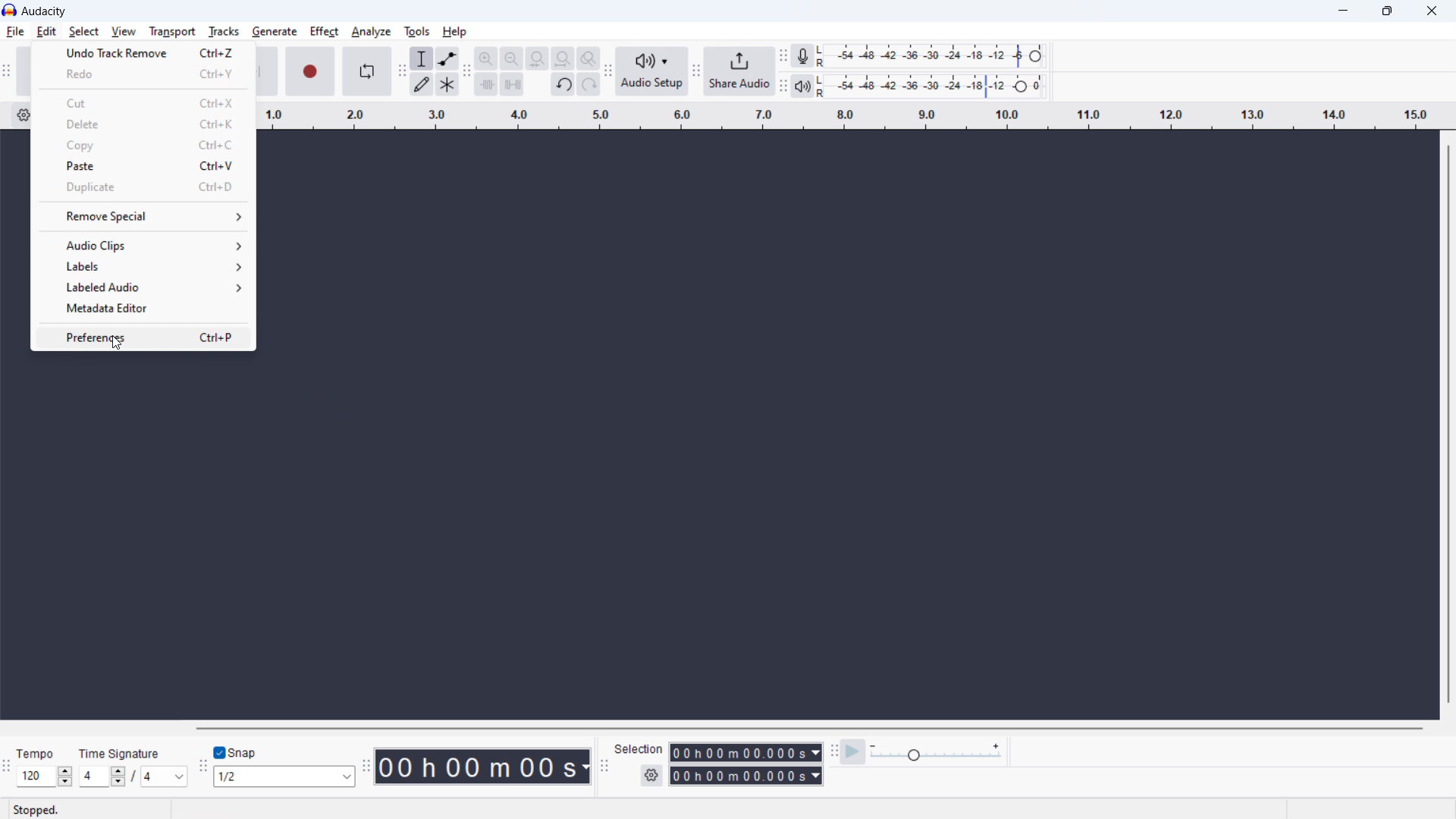 The image size is (1456, 819). Describe the element at coordinates (37, 751) in the screenshot. I see `Tempo` at that location.